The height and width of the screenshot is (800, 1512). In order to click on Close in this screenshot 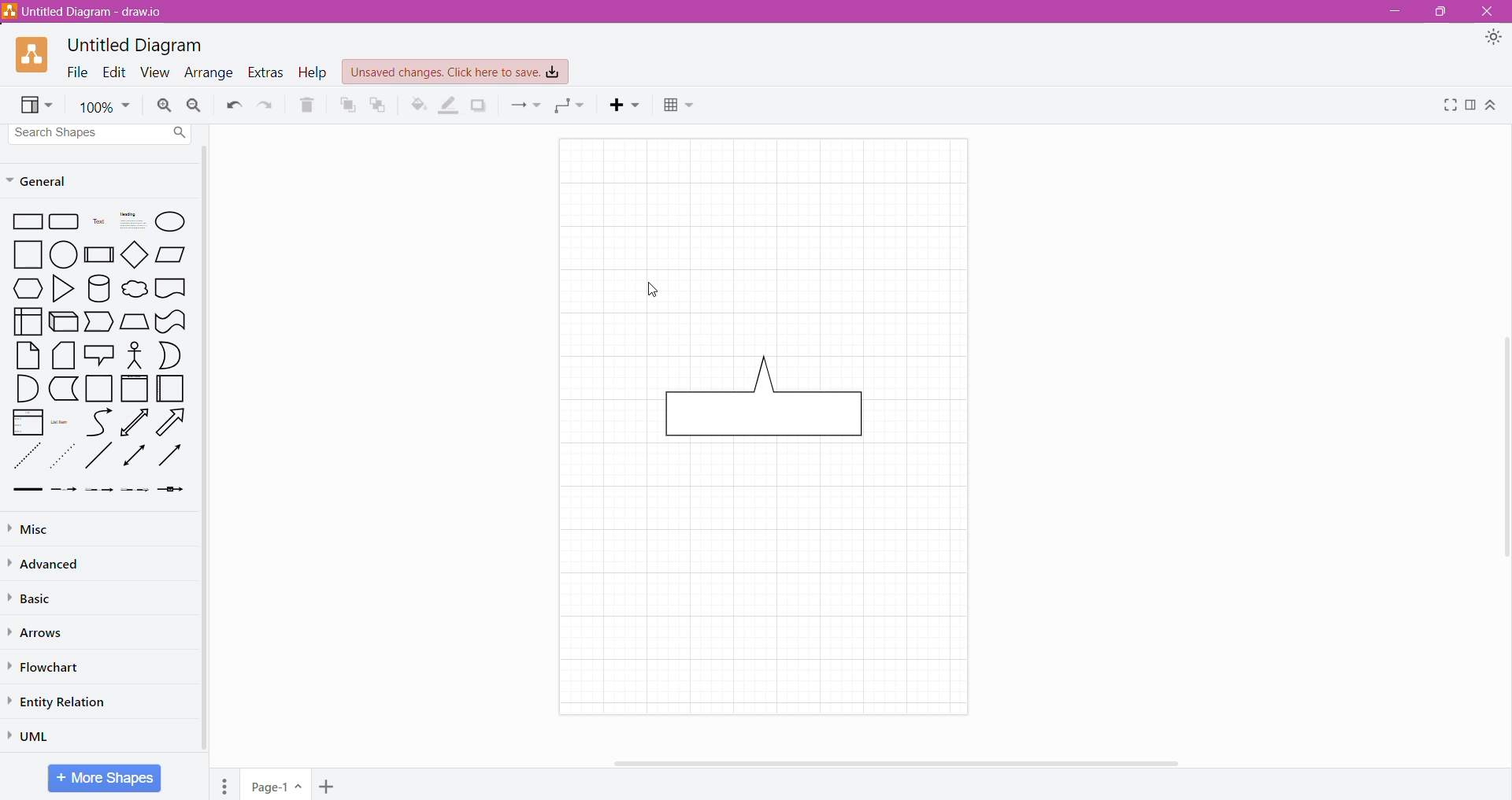, I will do `click(1489, 12)`.